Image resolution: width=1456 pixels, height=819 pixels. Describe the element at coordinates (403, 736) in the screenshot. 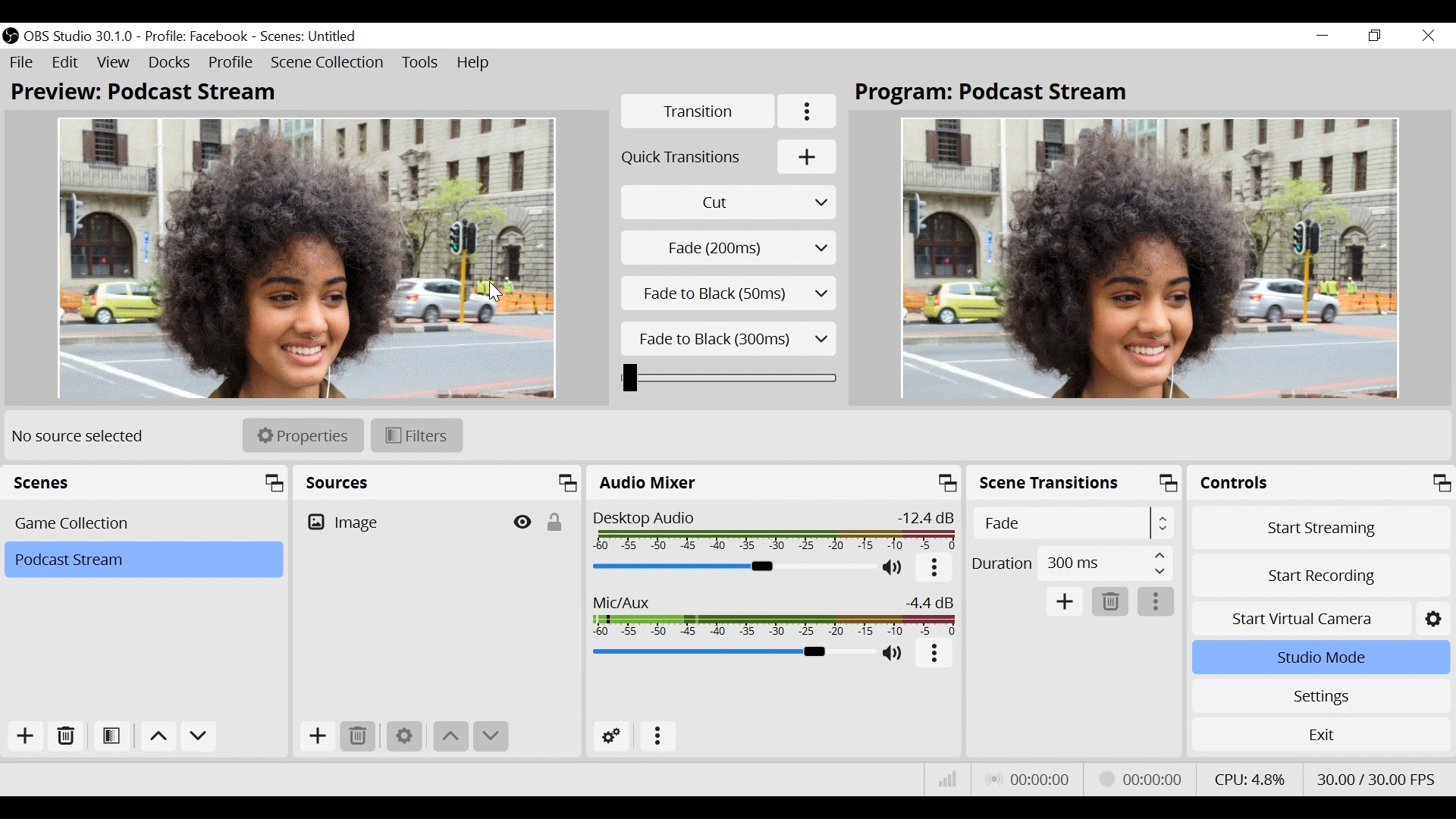

I see `Settings` at that location.